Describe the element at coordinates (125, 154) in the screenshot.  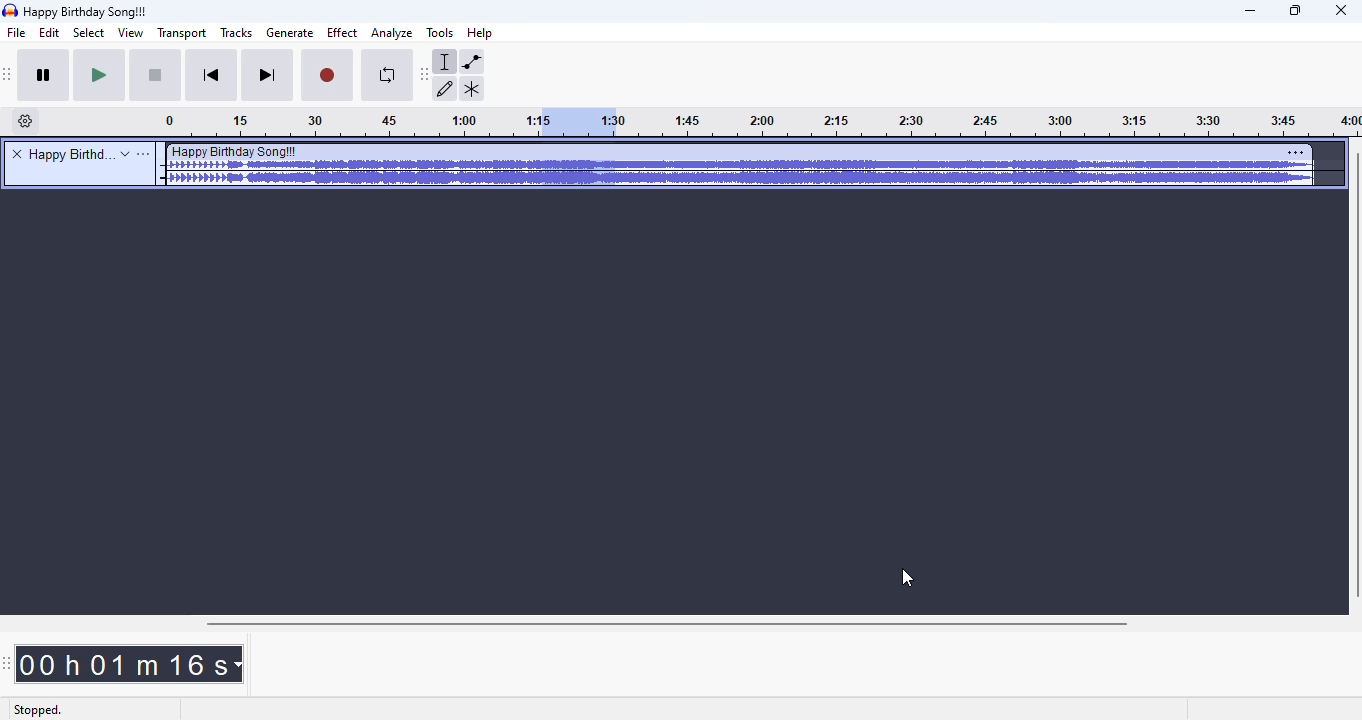
I see `expand` at that location.